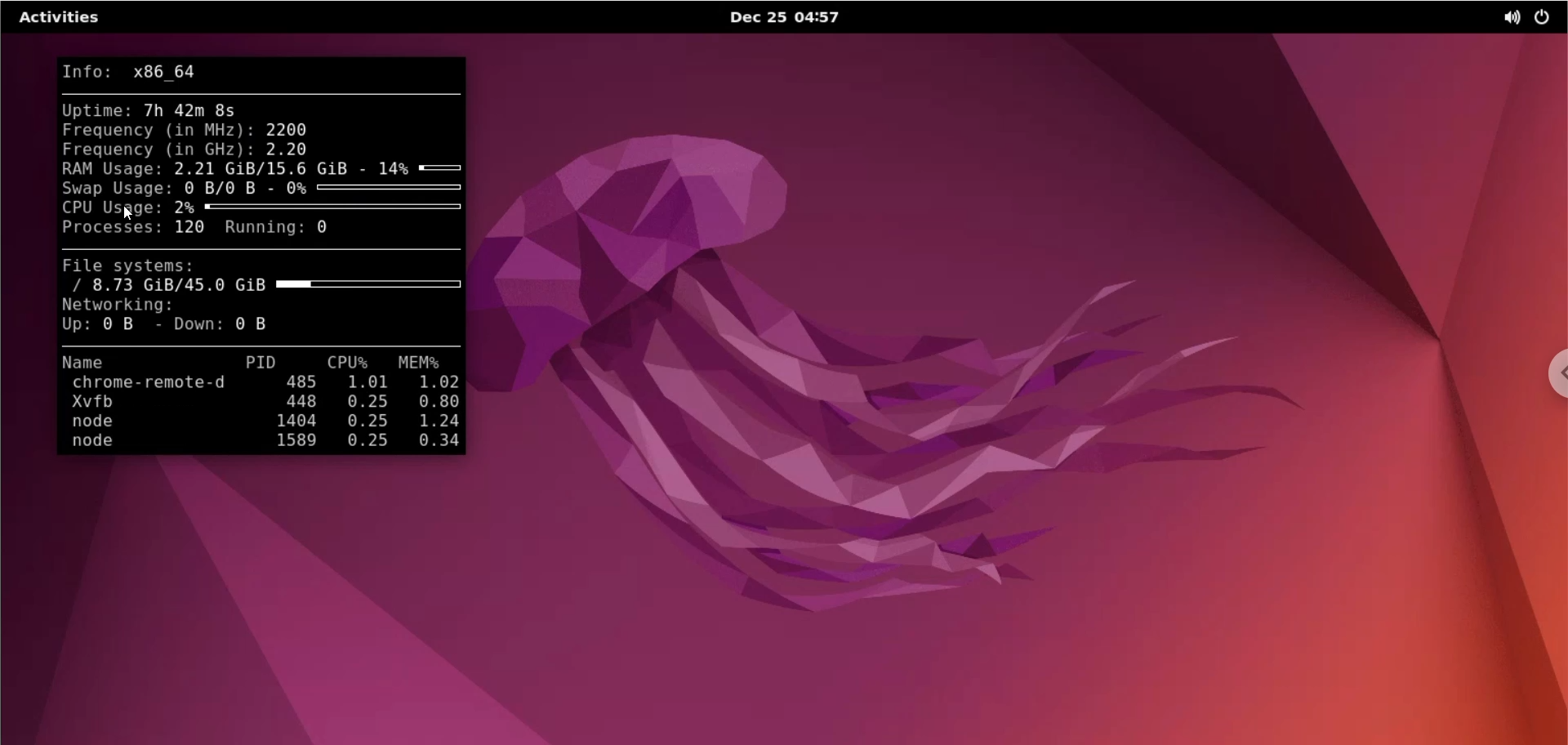 This screenshot has height=745, width=1568. What do you see at coordinates (367, 415) in the screenshot?
I see `CPU usage by processes` at bounding box center [367, 415].